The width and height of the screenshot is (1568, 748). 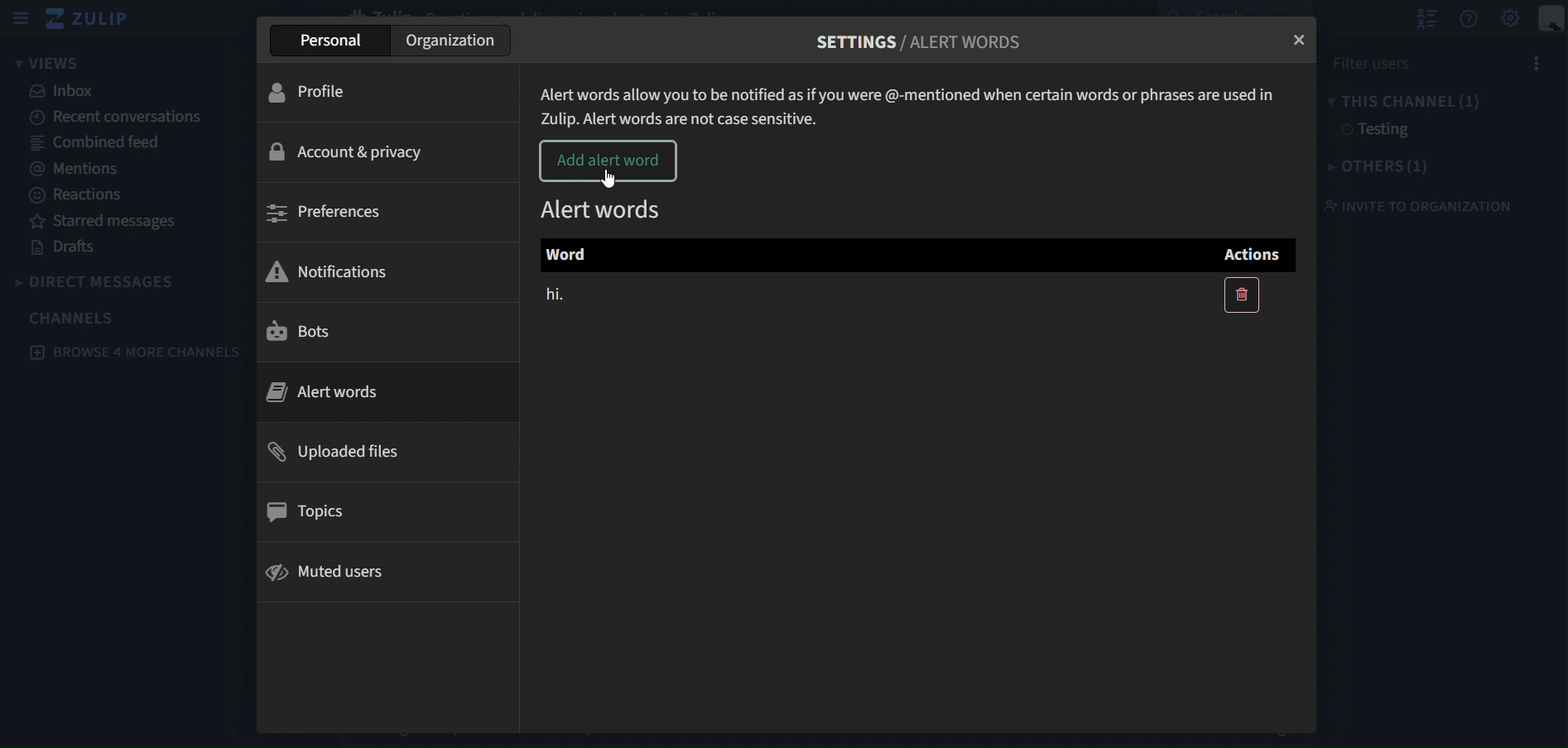 I want to click on combined feed, so click(x=102, y=144).